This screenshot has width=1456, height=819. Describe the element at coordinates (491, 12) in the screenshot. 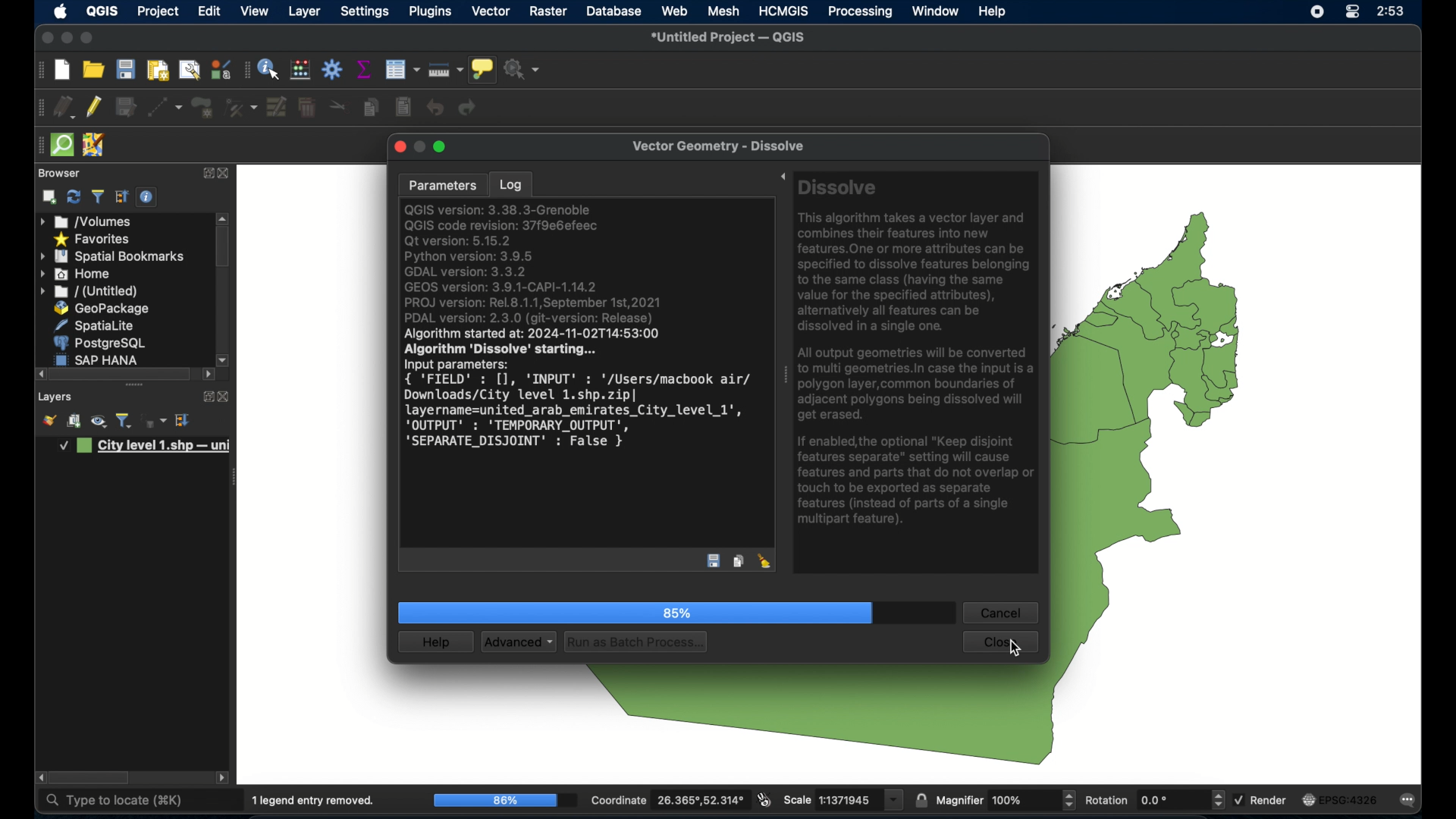

I see `vector selected` at that location.